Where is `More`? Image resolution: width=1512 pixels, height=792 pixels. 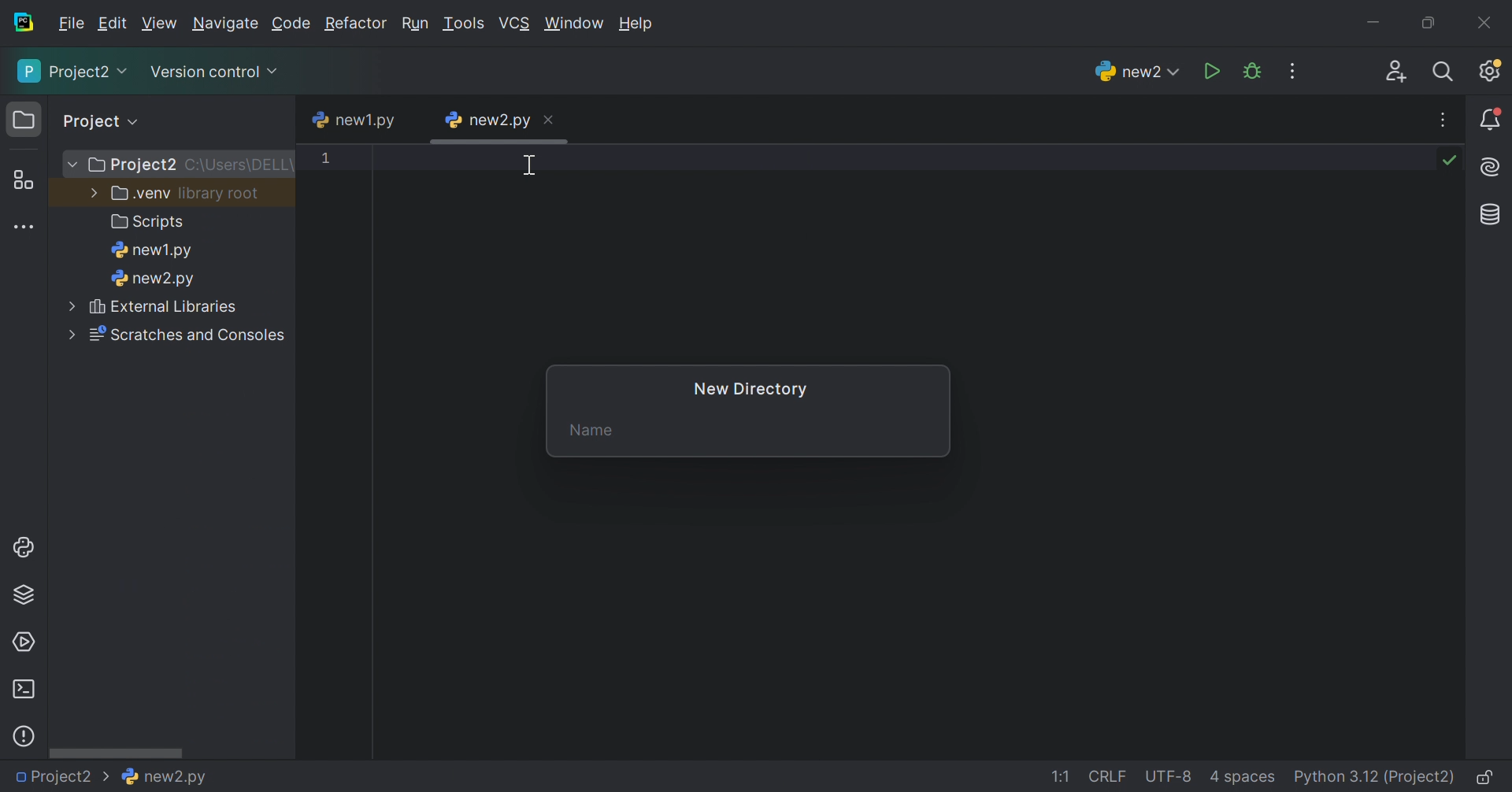 More is located at coordinates (72, 337).